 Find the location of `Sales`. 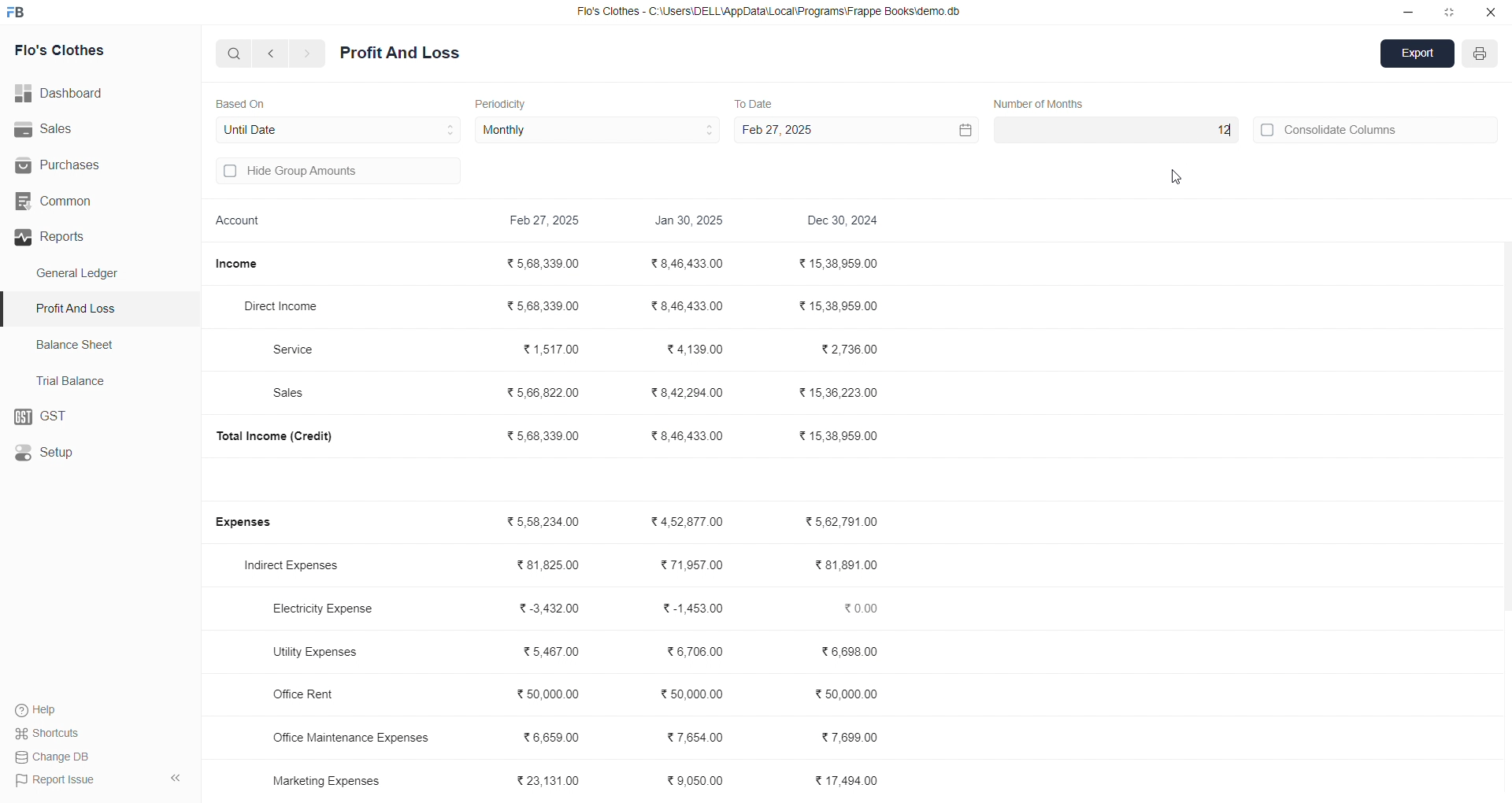

Sales is located at coordinates (296, 394).